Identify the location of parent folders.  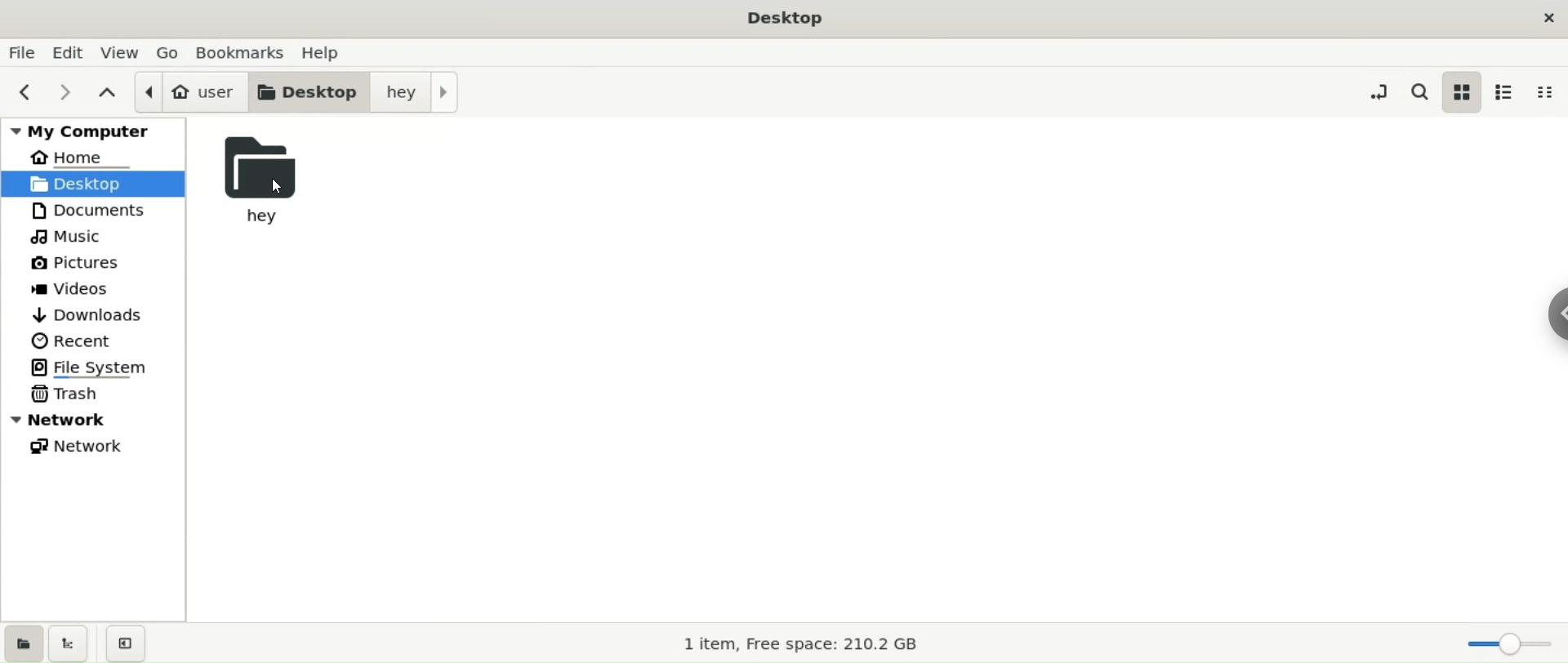
(110, 95).